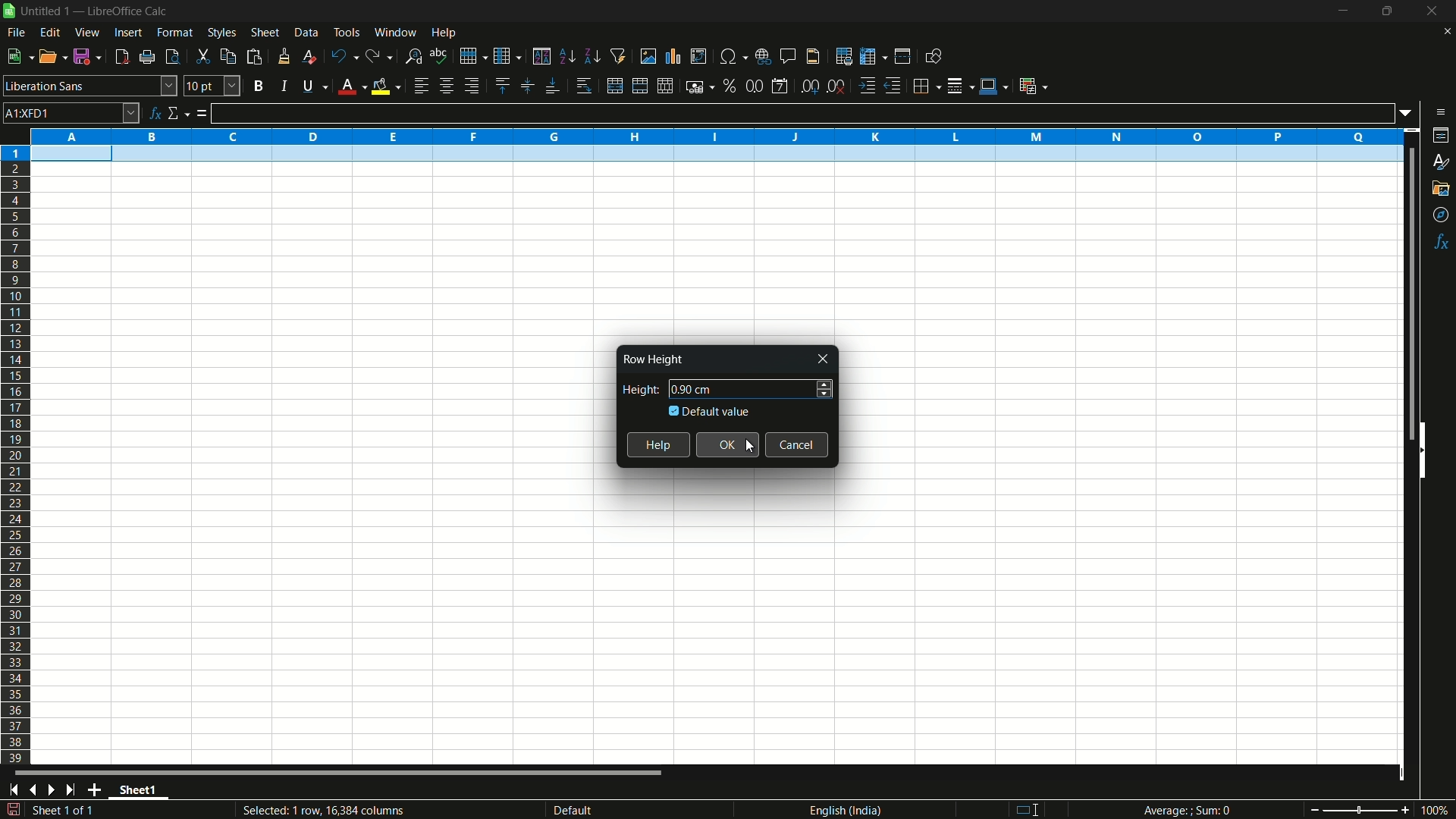  Describe the element at coordinates (730, 85) in the screenshot. I see `format as percent` at that location.